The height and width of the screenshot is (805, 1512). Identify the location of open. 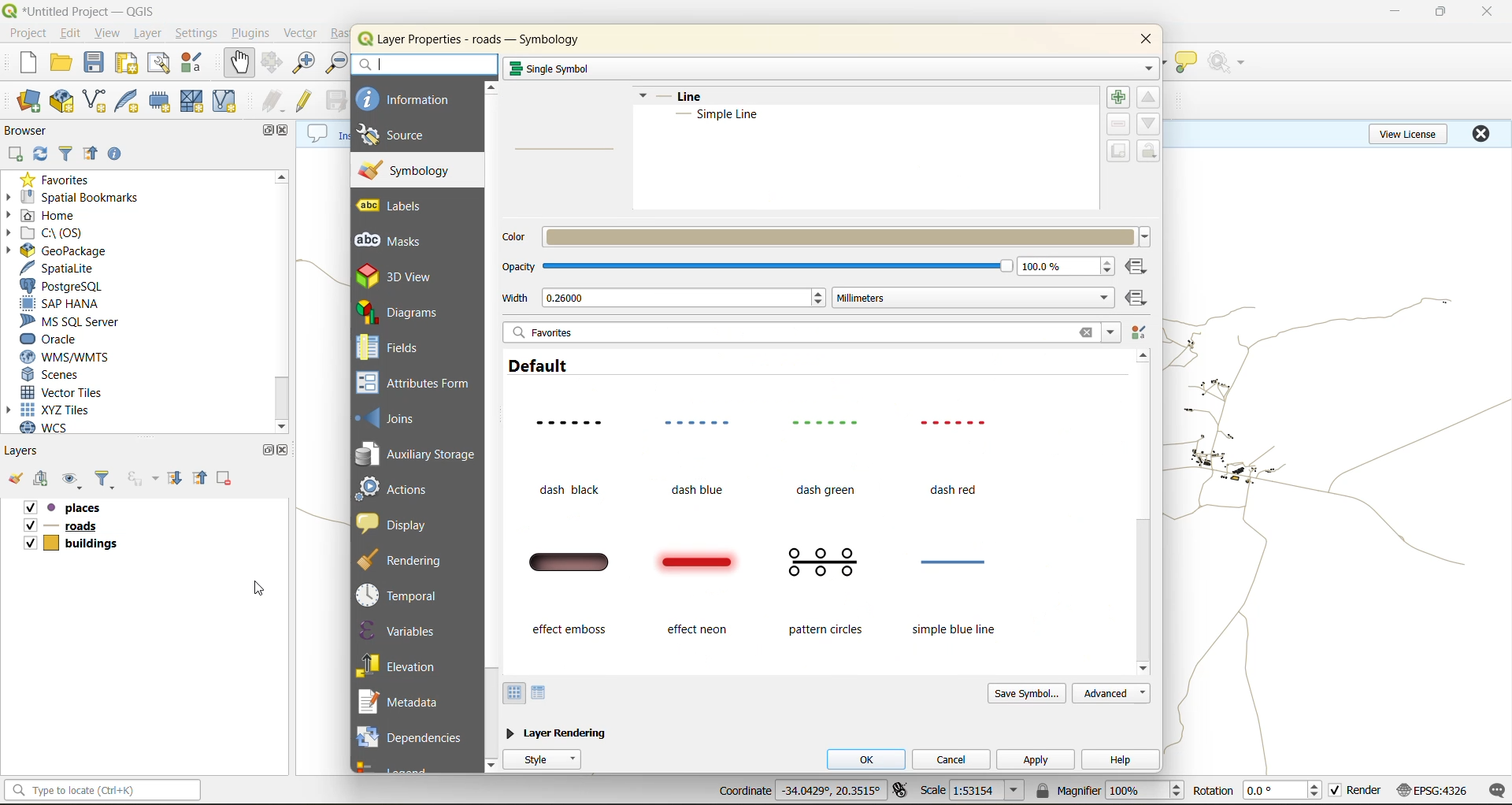
(15, 480).